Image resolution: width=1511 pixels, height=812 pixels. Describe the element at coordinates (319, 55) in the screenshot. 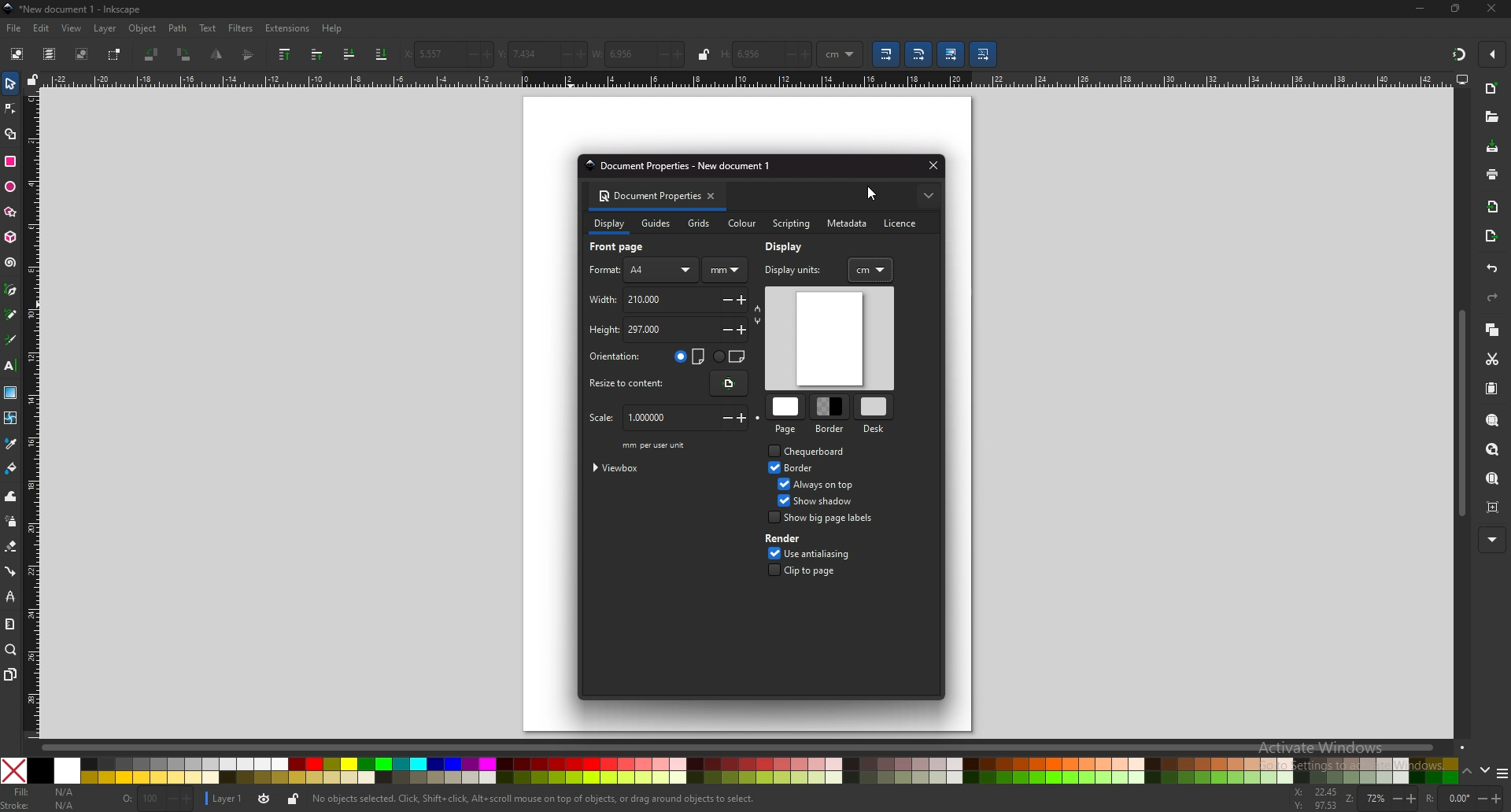

I see `raise selection one step` at that location.